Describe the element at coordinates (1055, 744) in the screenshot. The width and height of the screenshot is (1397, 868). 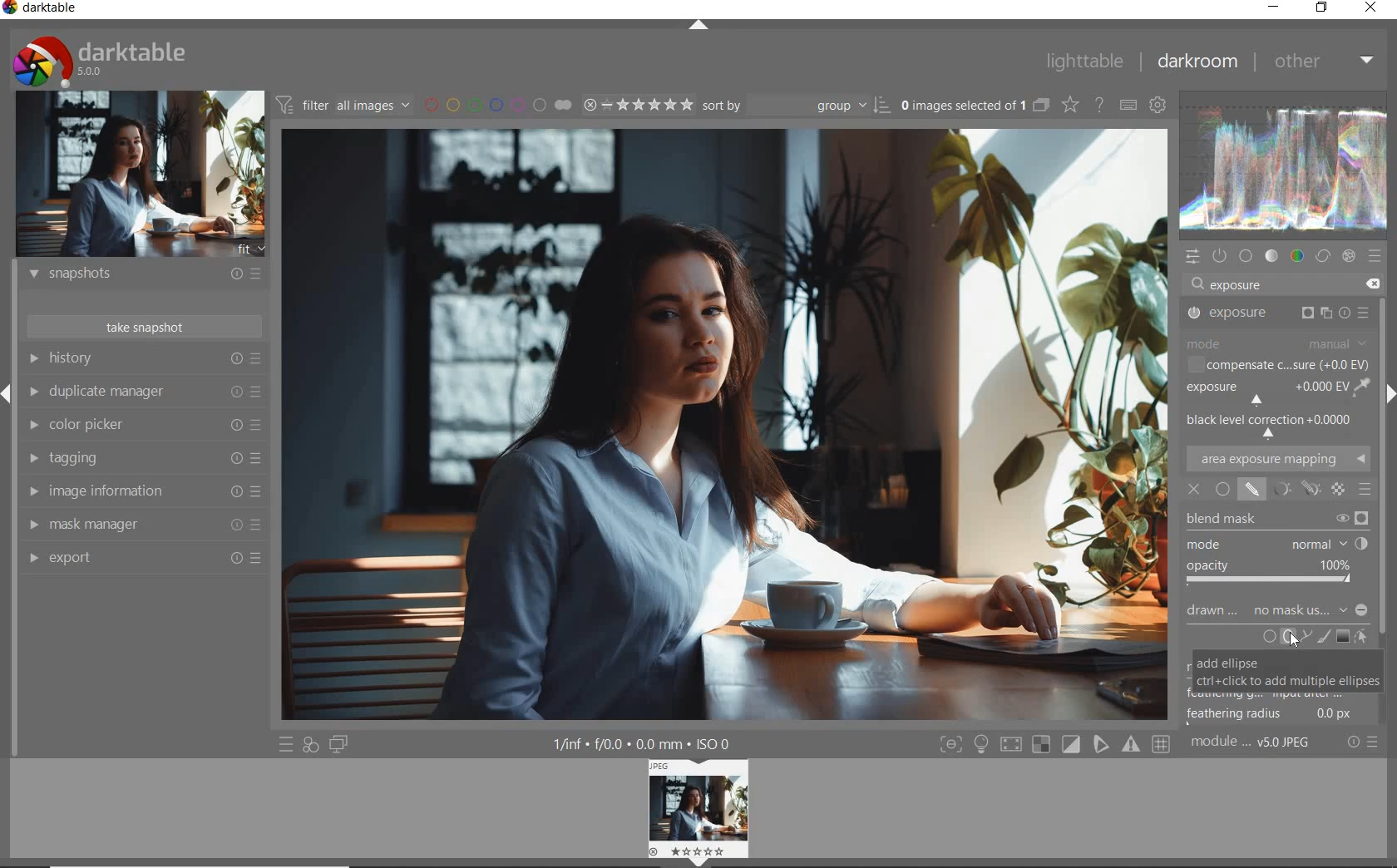
I see `toggle modes` at that location.